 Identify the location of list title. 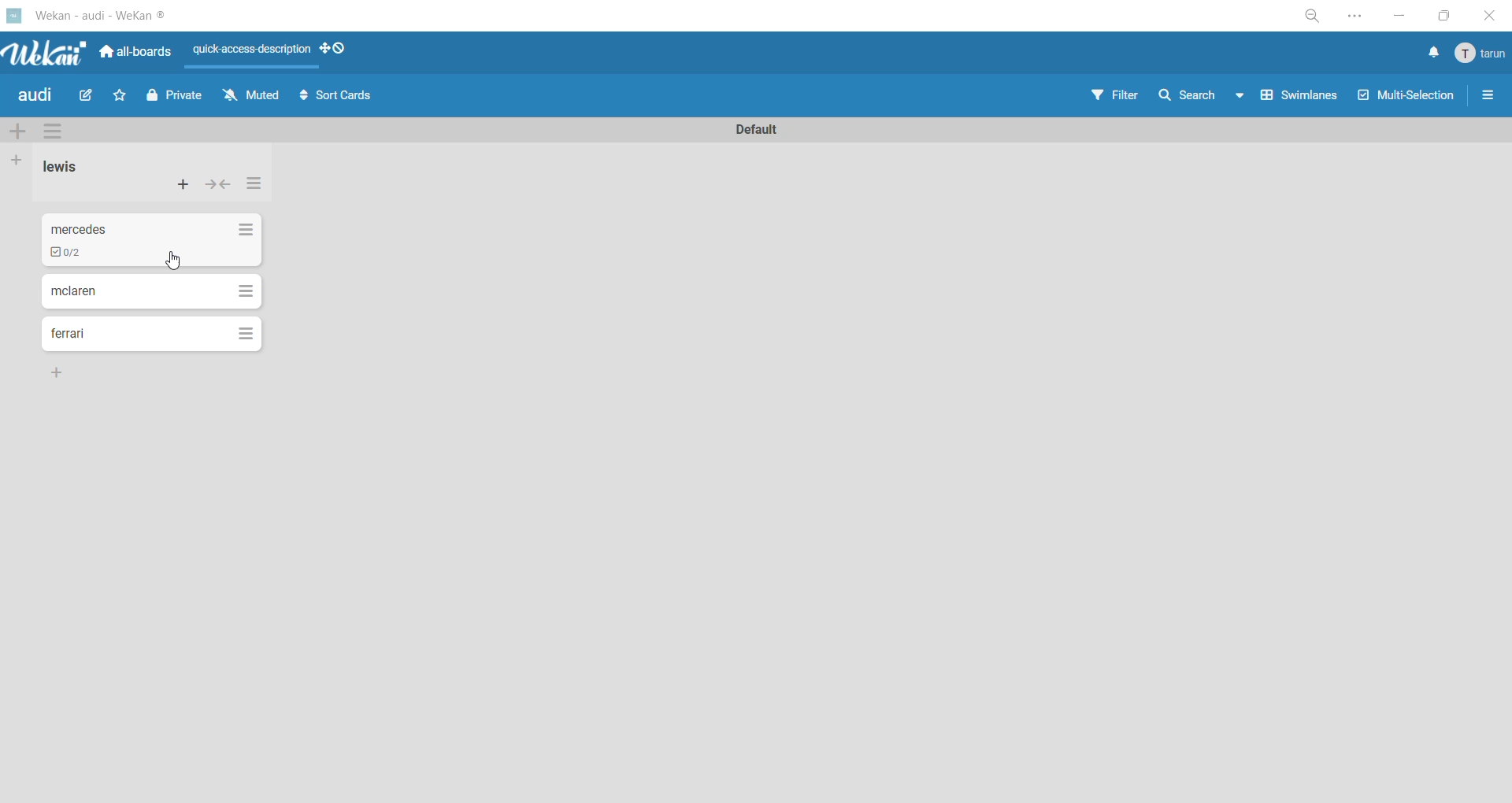
(79, 168).